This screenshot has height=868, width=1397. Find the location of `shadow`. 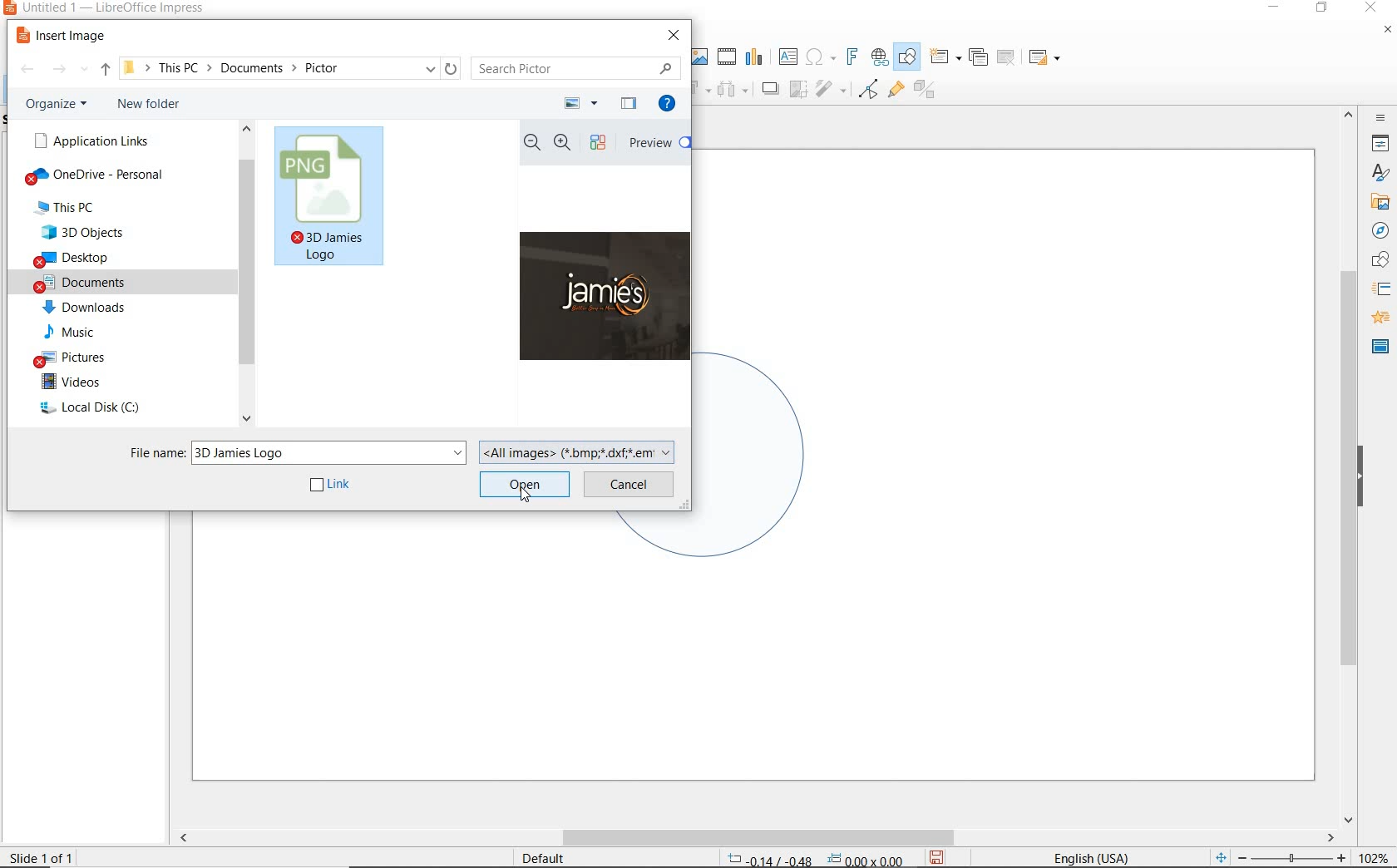

shadow is located at coordinates (769, 87).